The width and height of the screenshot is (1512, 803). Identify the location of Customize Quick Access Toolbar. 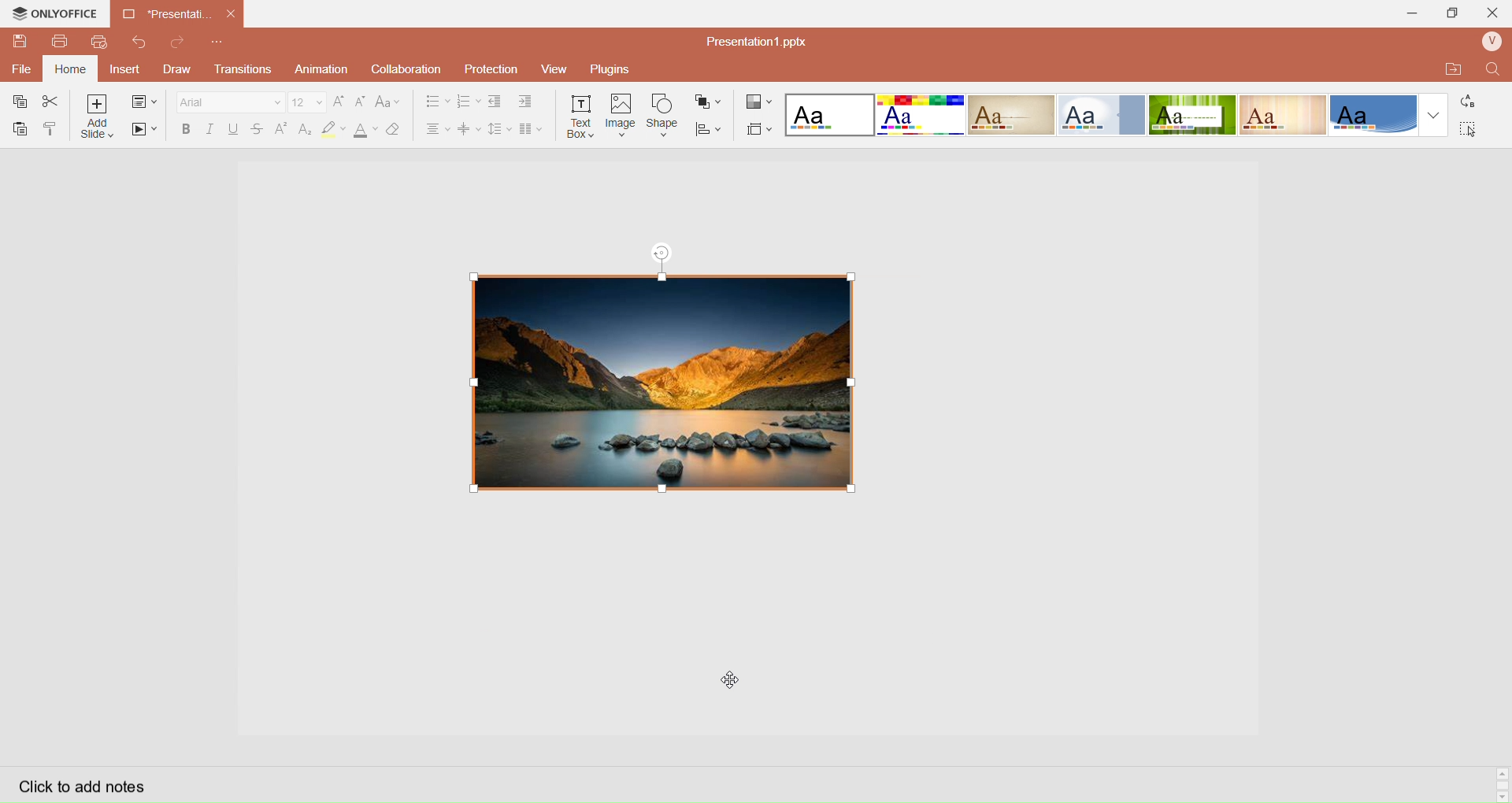
(217, 43).